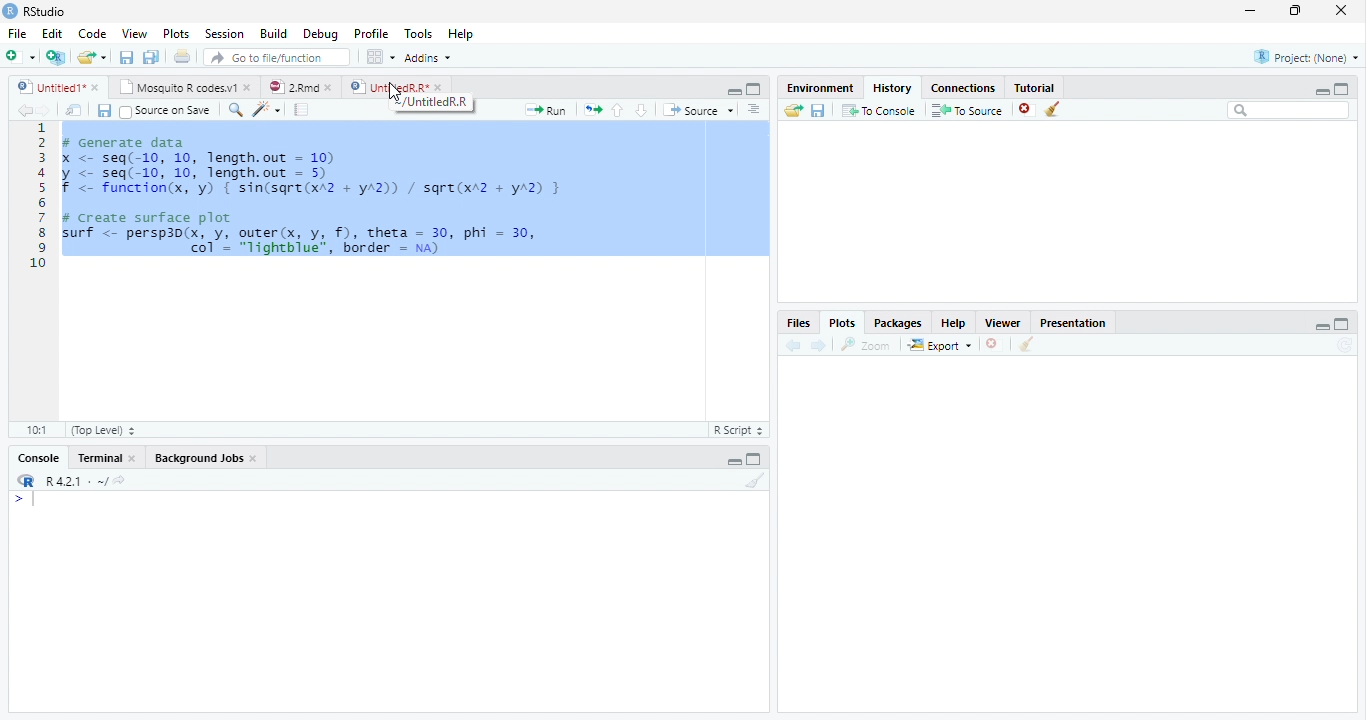 This screenshot has width=1366, height=720. What do you see at coordinates (1034, 86) in the screenshot?
I see `Tutorial` at bounding box center [1034, 86].